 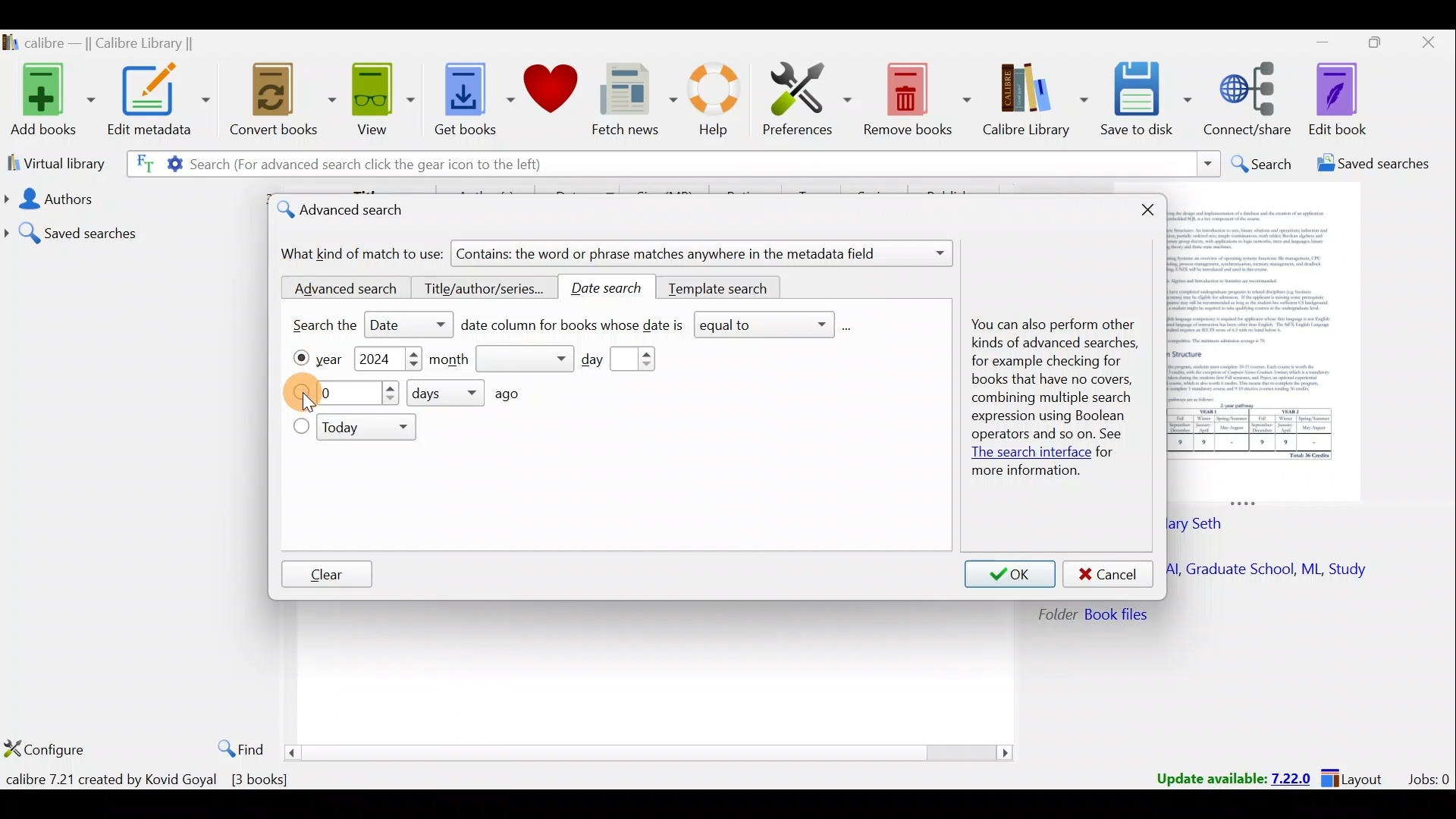 I want to click on OK, so click(x=1010, y=575).